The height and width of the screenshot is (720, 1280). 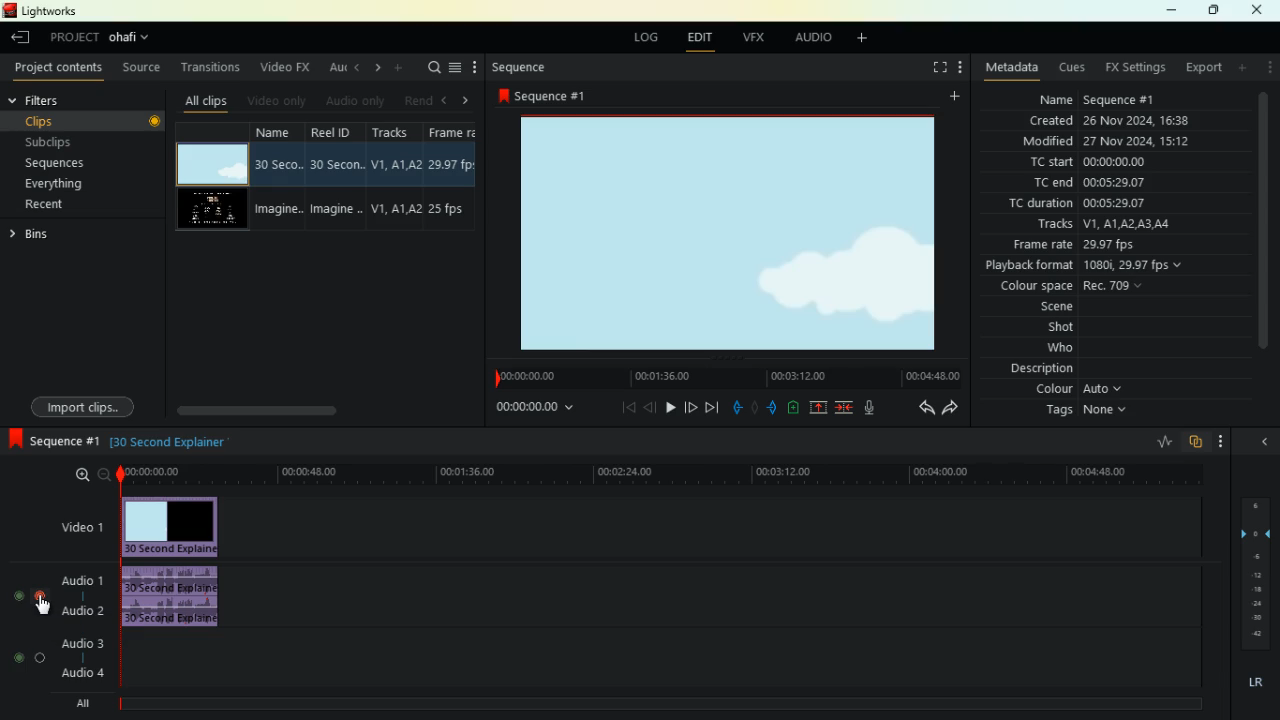 What do you see at coordinates (82, 529) in the screenshot?
I see `video 1` at bounding box center [82, 529].